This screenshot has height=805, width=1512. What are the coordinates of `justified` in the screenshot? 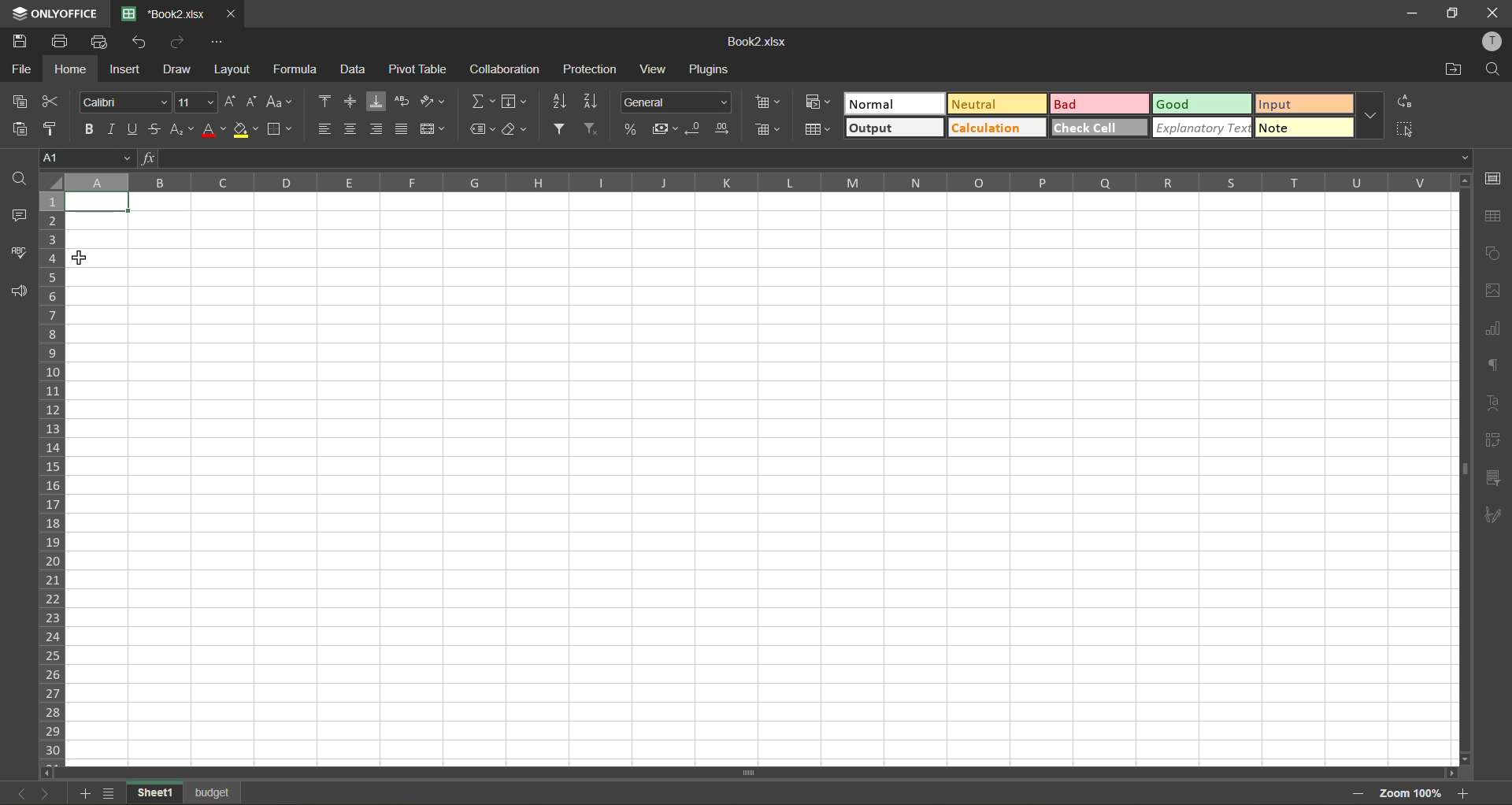 It's located at (402, 129).